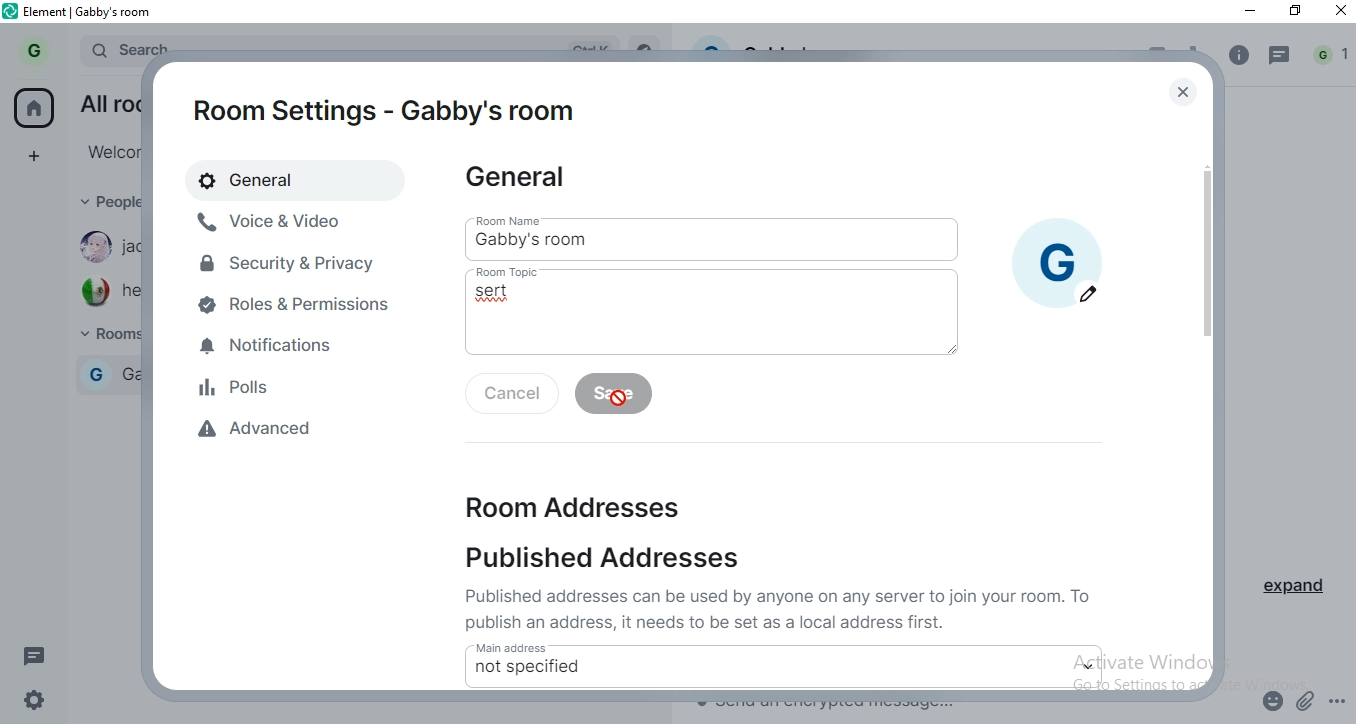 This screenshot has width=1356, height=724. Describe the element at coordinates (13, 13) in the screenshot. I see `element logo` at that location.